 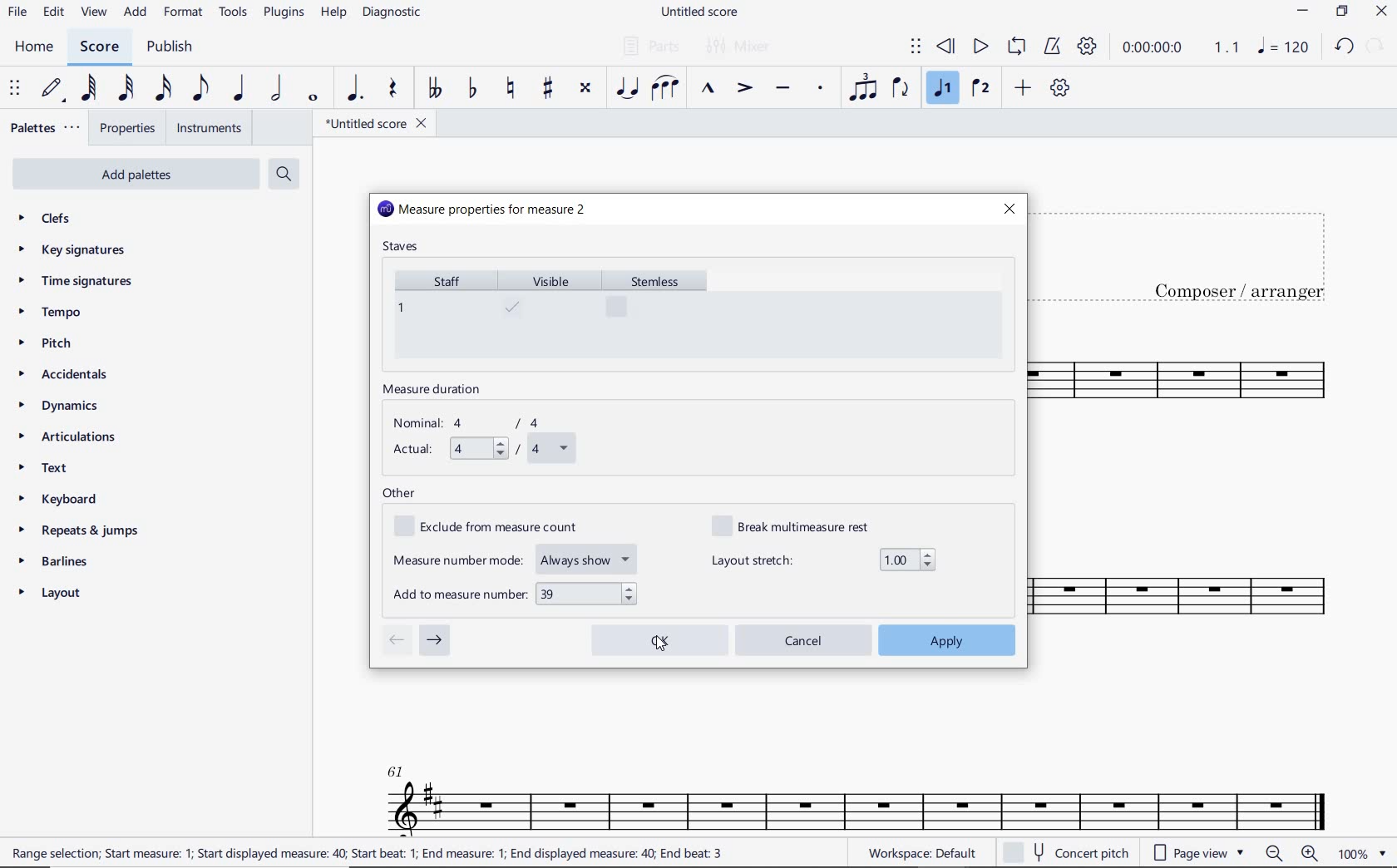 What do you see at coordinates (946, 47) in the screenshot?
I see `REWIND` at bounding box center [946, 47].